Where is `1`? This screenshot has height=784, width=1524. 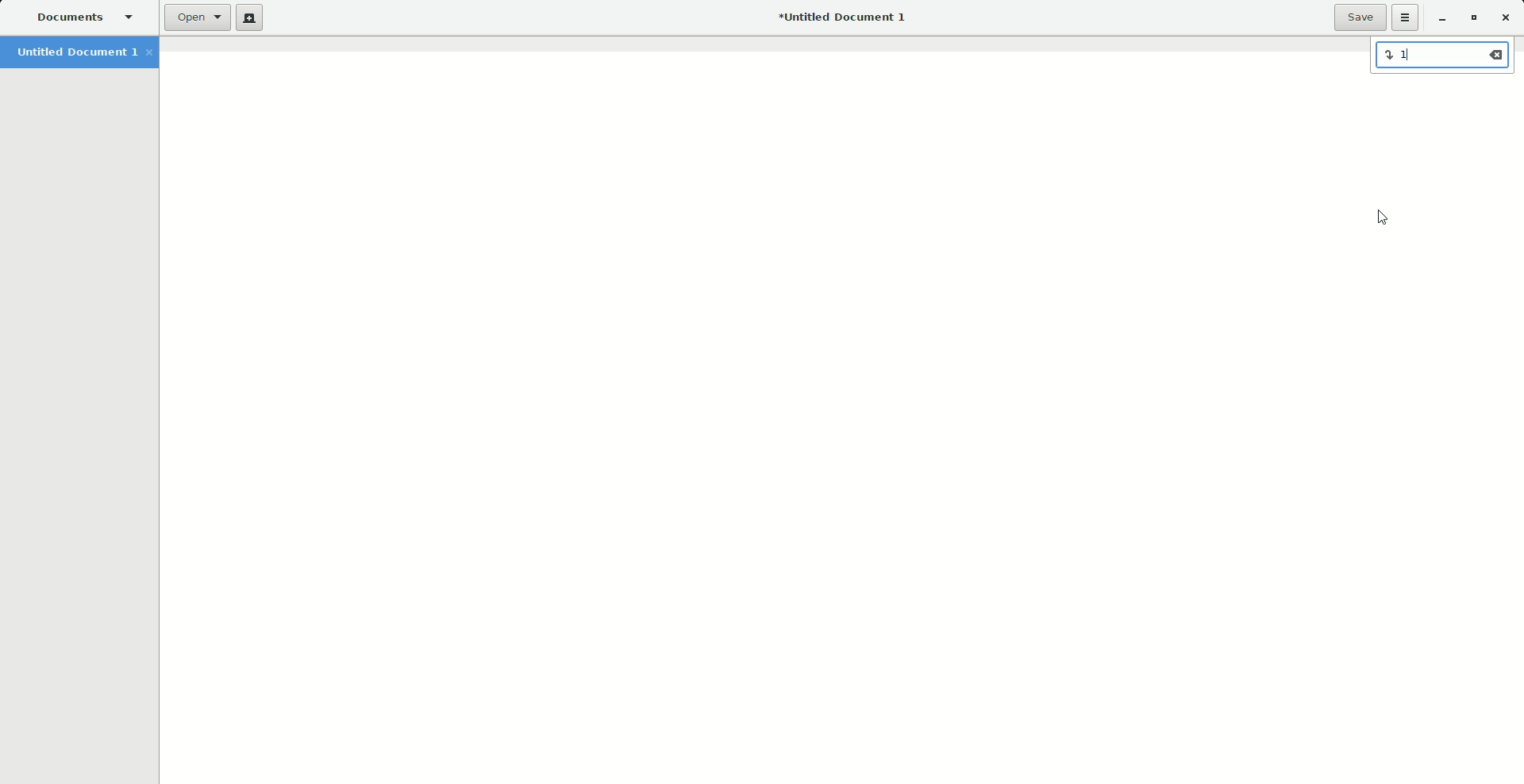
1 is located at coordinates (1443, 57).